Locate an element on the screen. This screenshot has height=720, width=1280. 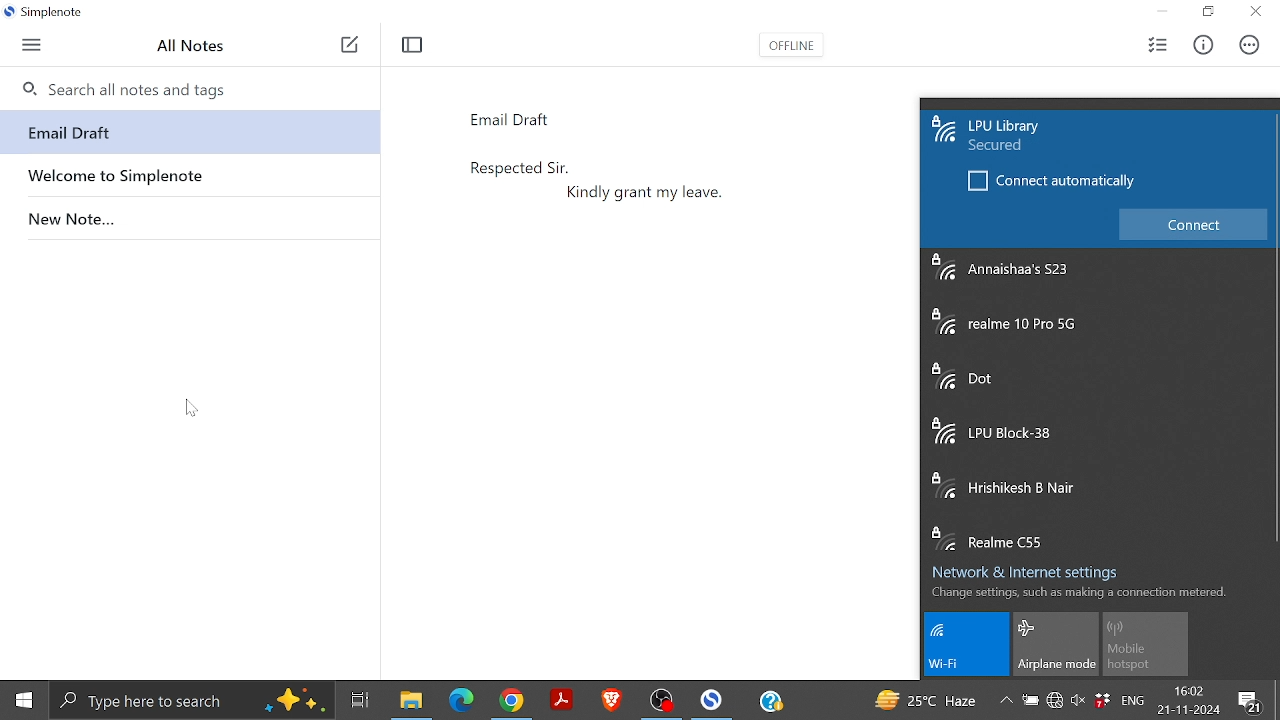
Show hidden icons is located at coordinates (1006, 701).